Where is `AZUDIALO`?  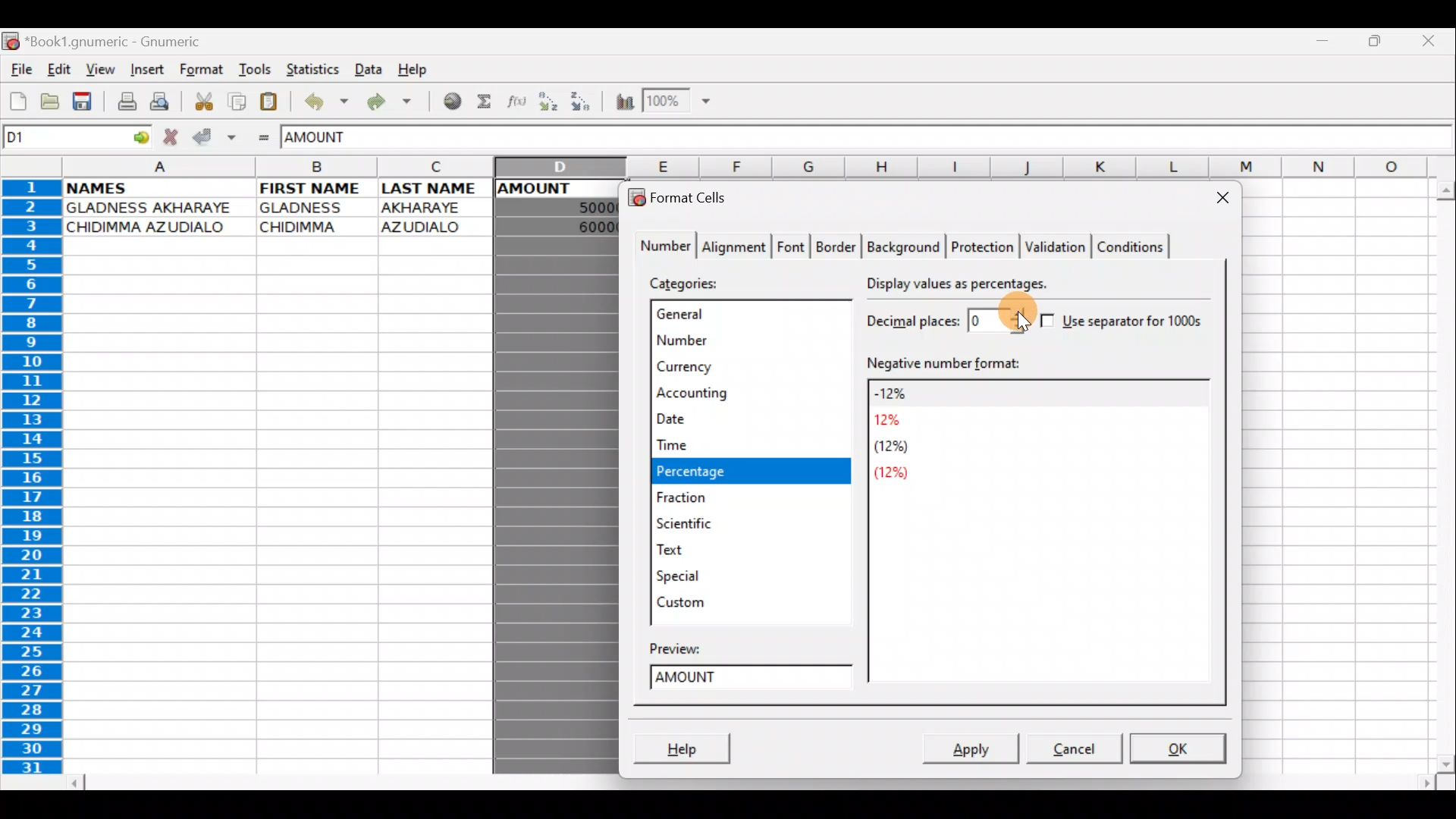 AZUDIALO is located at coordinates (427, 226).